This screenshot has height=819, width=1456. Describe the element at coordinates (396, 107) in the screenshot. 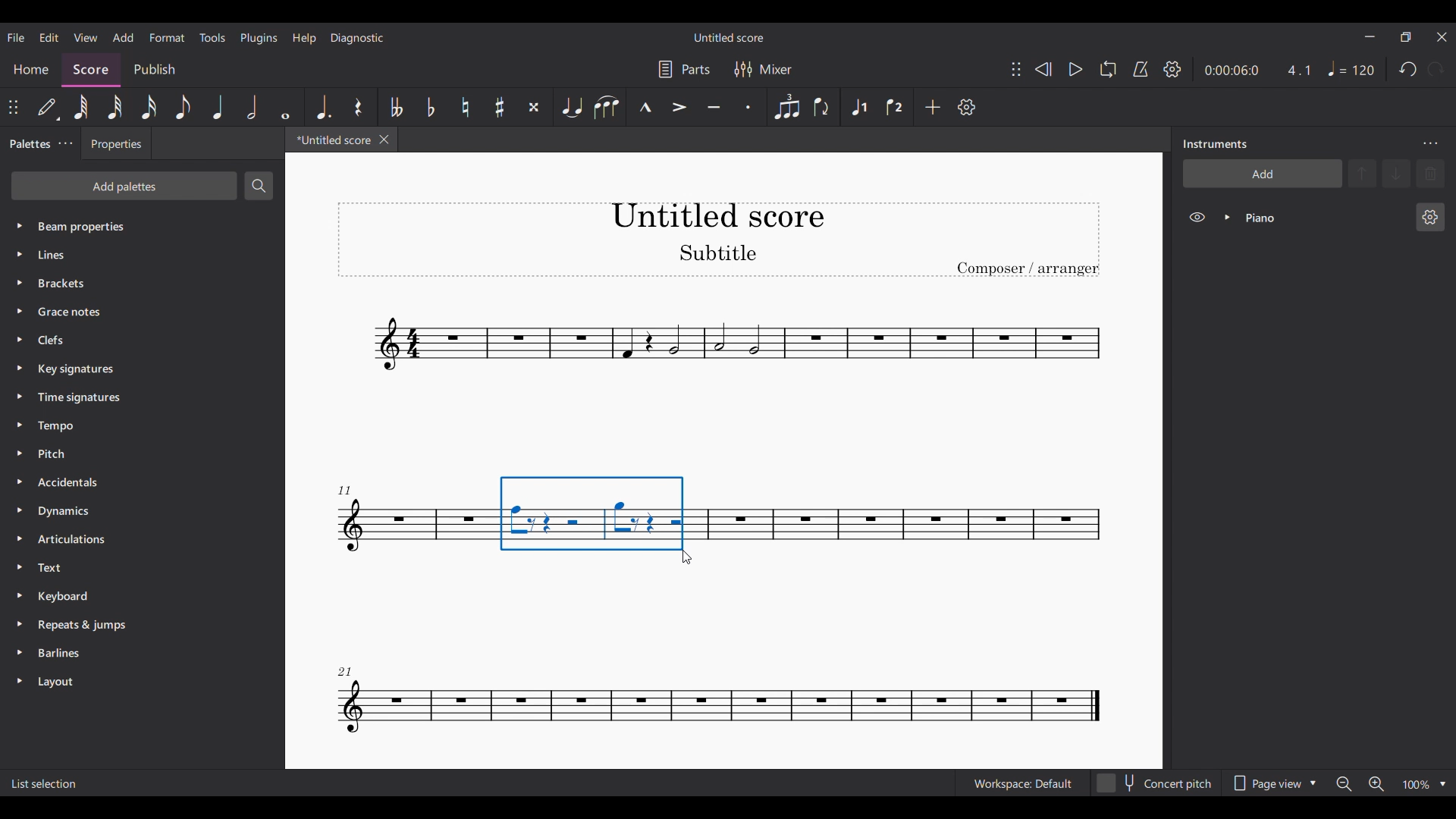

I see `Toggle double flat` at that location.